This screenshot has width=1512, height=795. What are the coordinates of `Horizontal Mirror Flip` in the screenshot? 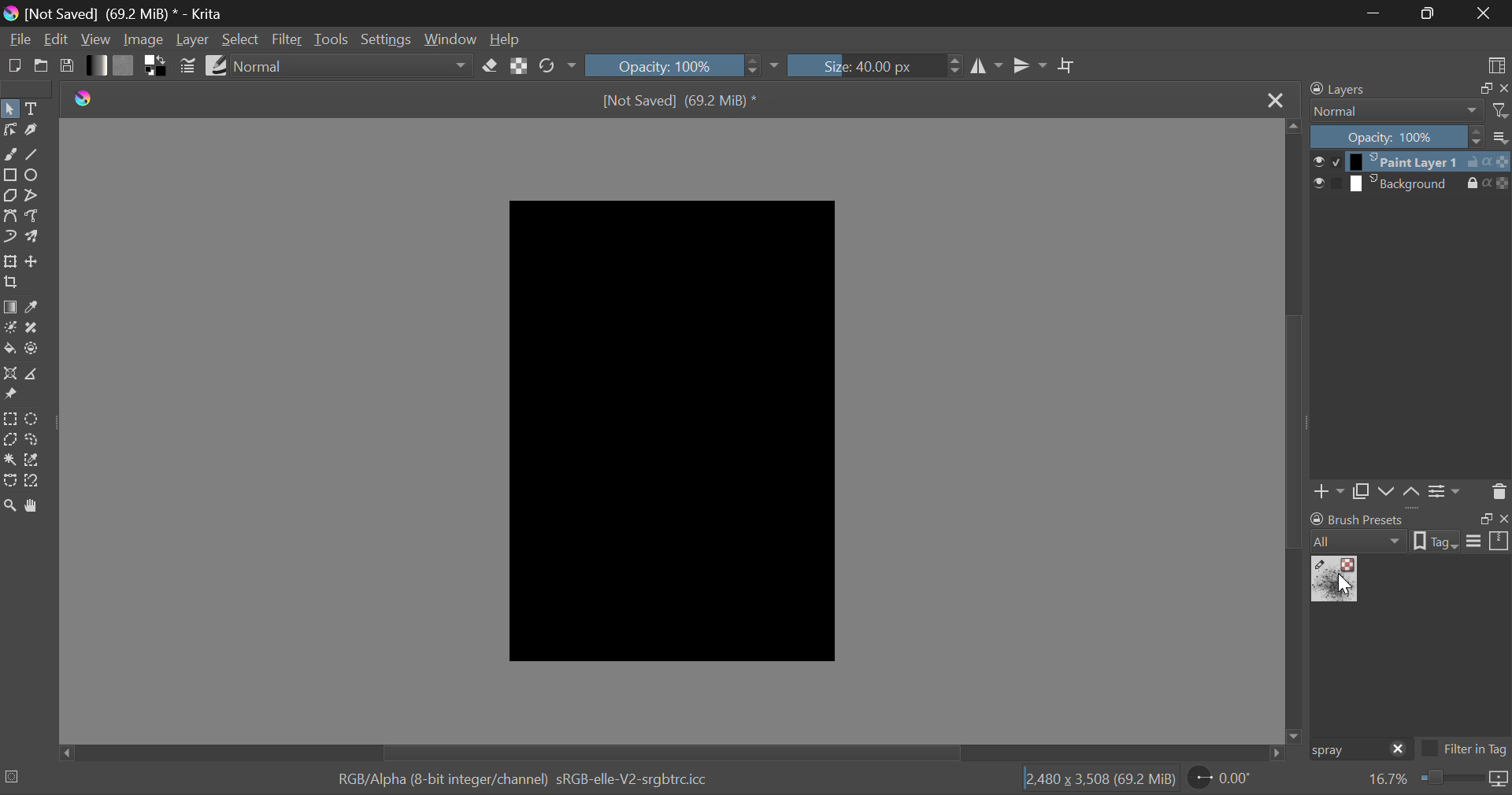 It's located at (1030, 65).